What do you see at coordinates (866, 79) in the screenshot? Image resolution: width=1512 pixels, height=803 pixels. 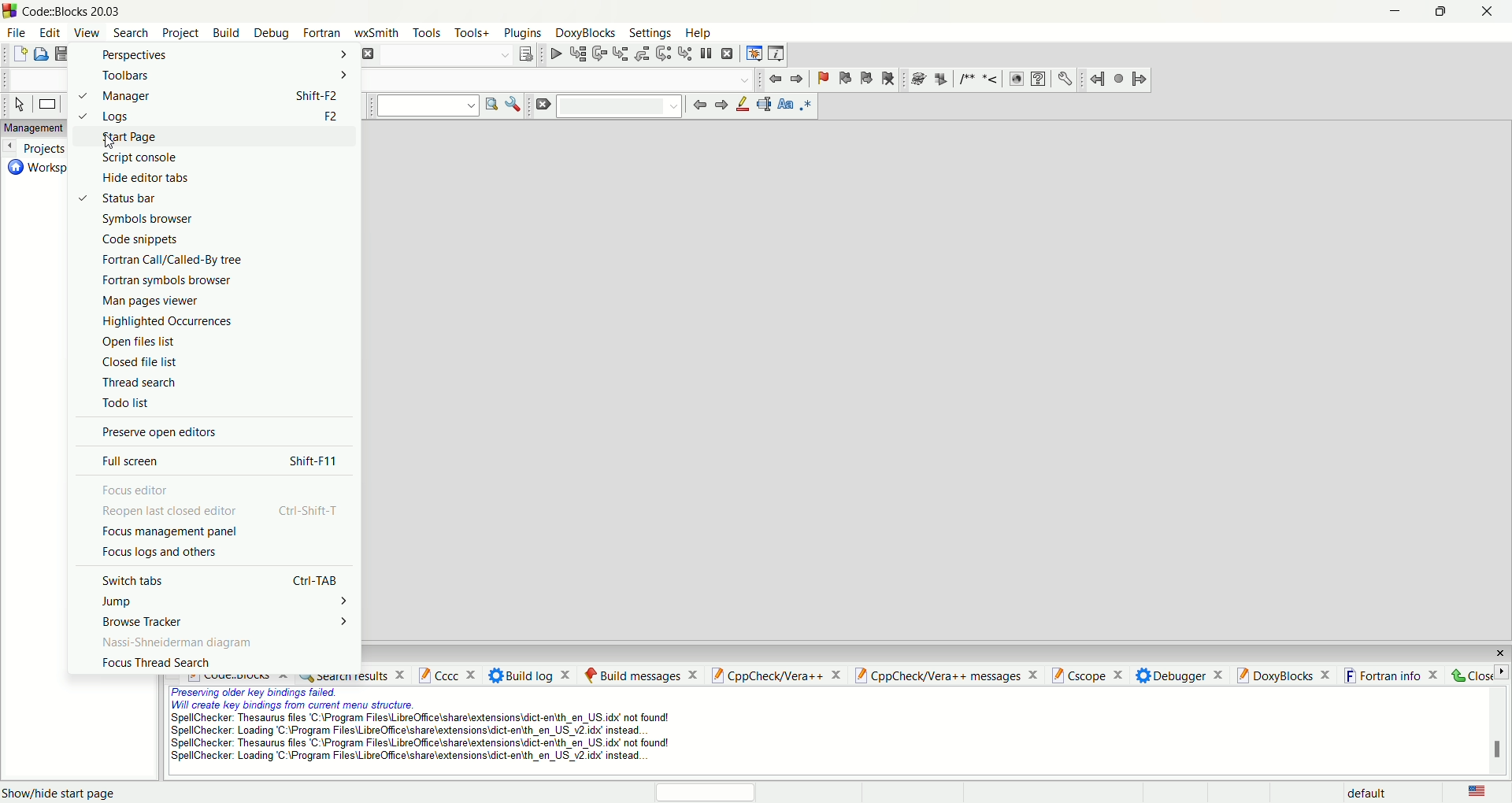 I see `next bookmark` at bounding box center [866, 79].